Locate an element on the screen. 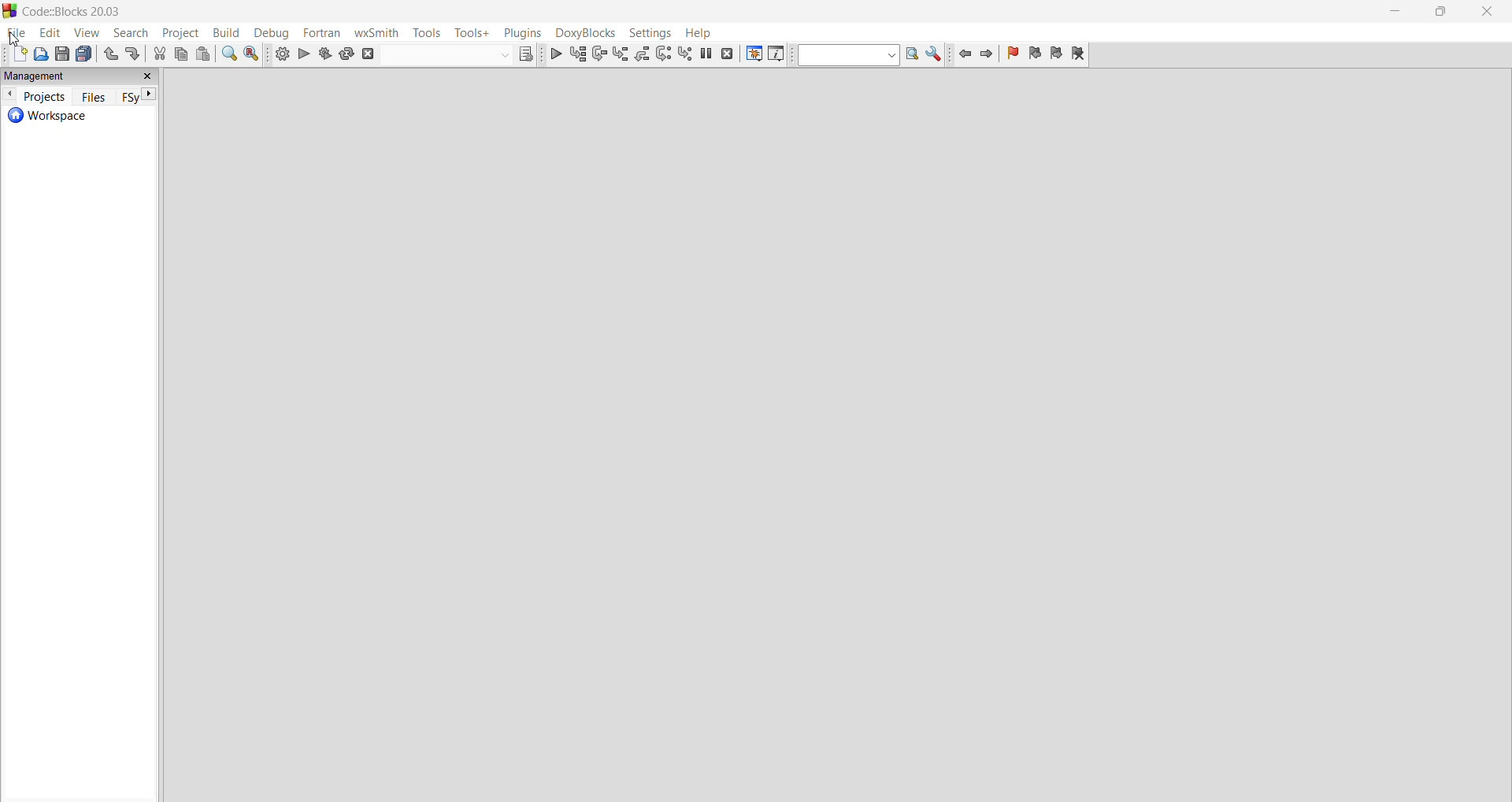 The height and width of the screenshot is (802, 1512). next line is located at coordinates (600, 55).